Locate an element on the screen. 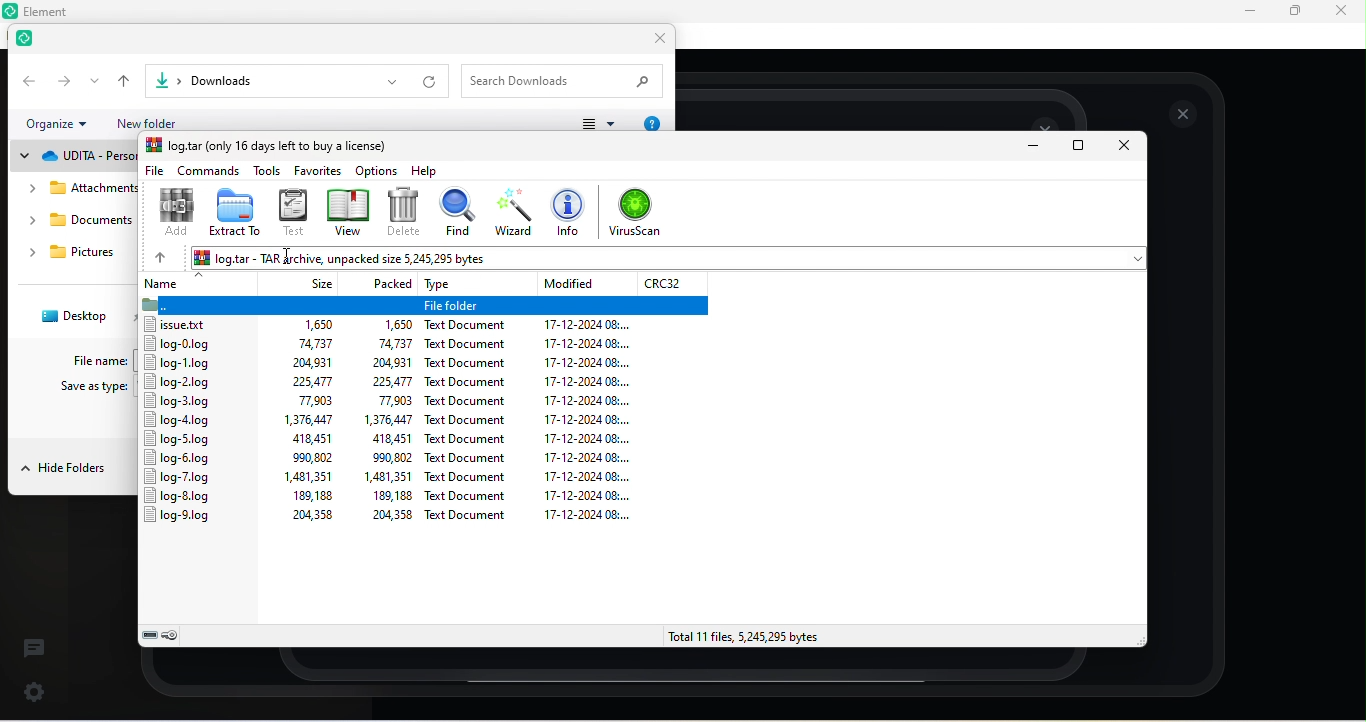 This screenshot has width=1366, height=722. maximize is located at coordinates (1294, 12).